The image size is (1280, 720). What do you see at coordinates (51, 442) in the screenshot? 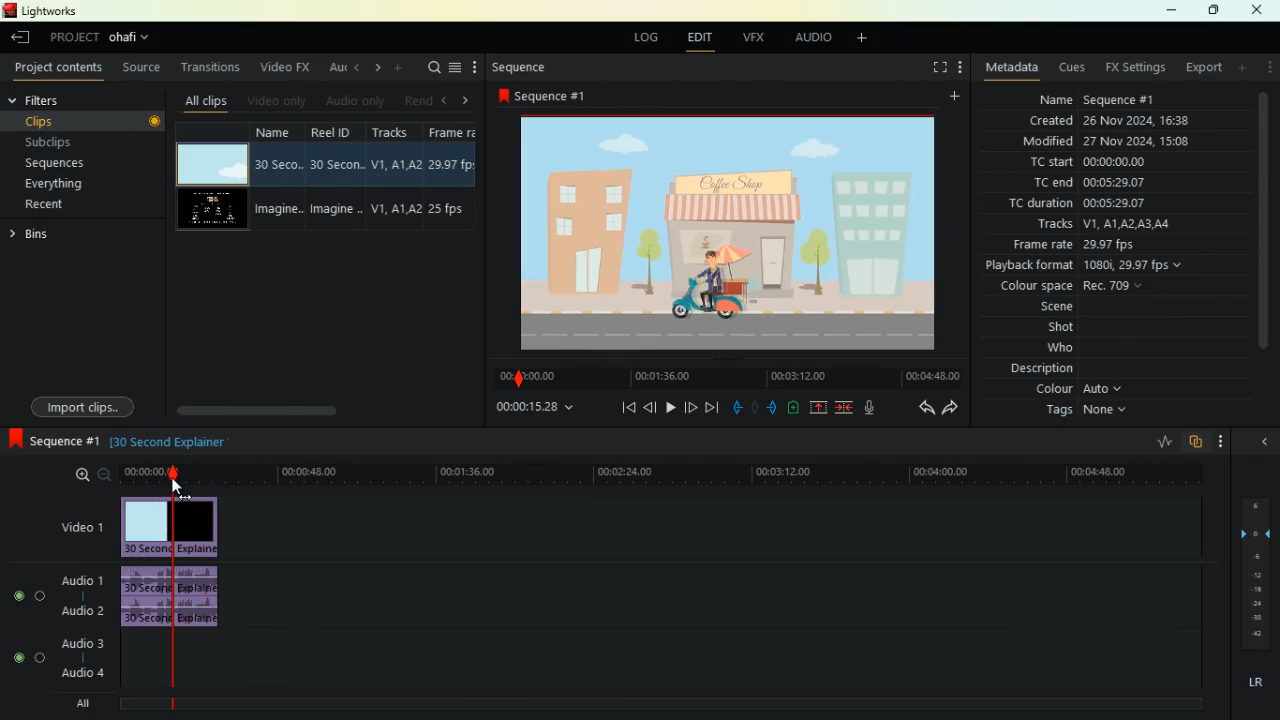
I see `sequence` at bounding box center [51, 442].